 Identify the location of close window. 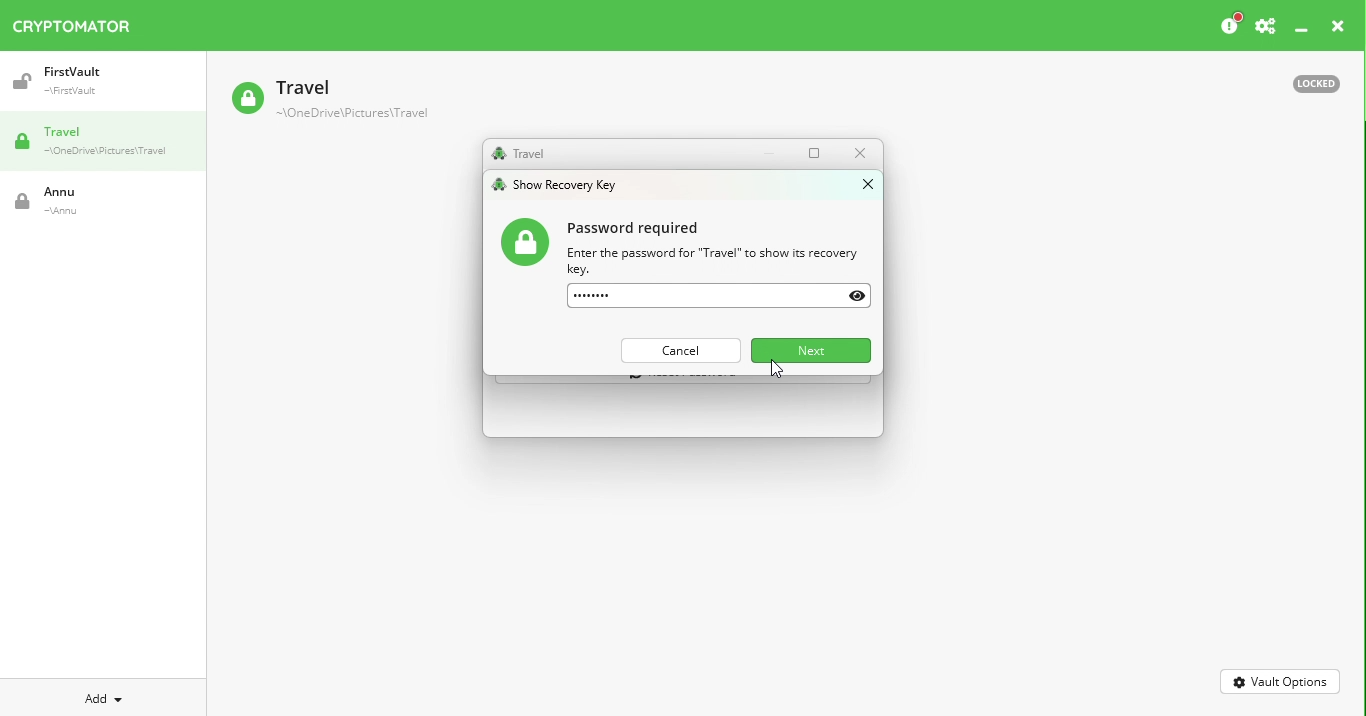
(865, 183).